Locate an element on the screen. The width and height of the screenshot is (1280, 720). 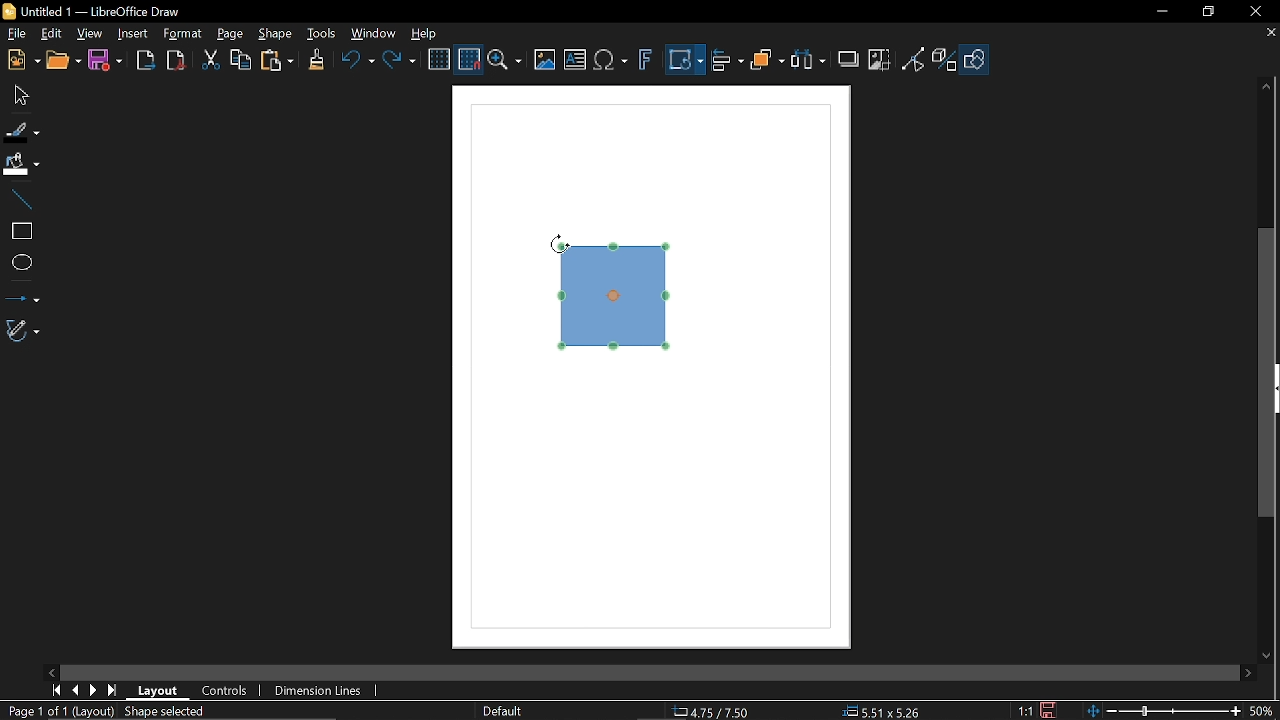
Shapes is located at coordinates (974, 59).